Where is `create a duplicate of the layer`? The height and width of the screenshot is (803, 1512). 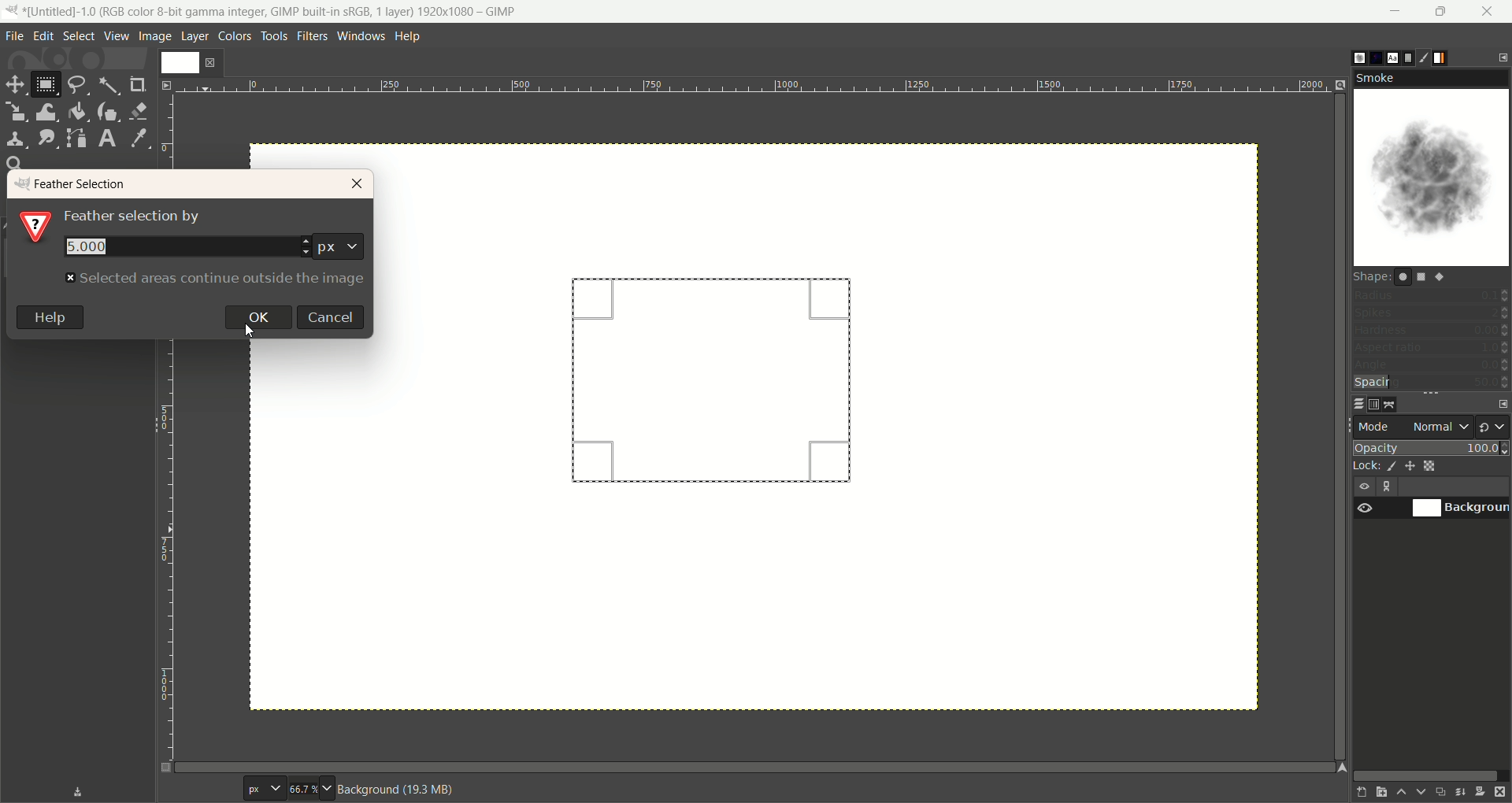 create a duplicate of the layer is located at coordinates (1440, 793).